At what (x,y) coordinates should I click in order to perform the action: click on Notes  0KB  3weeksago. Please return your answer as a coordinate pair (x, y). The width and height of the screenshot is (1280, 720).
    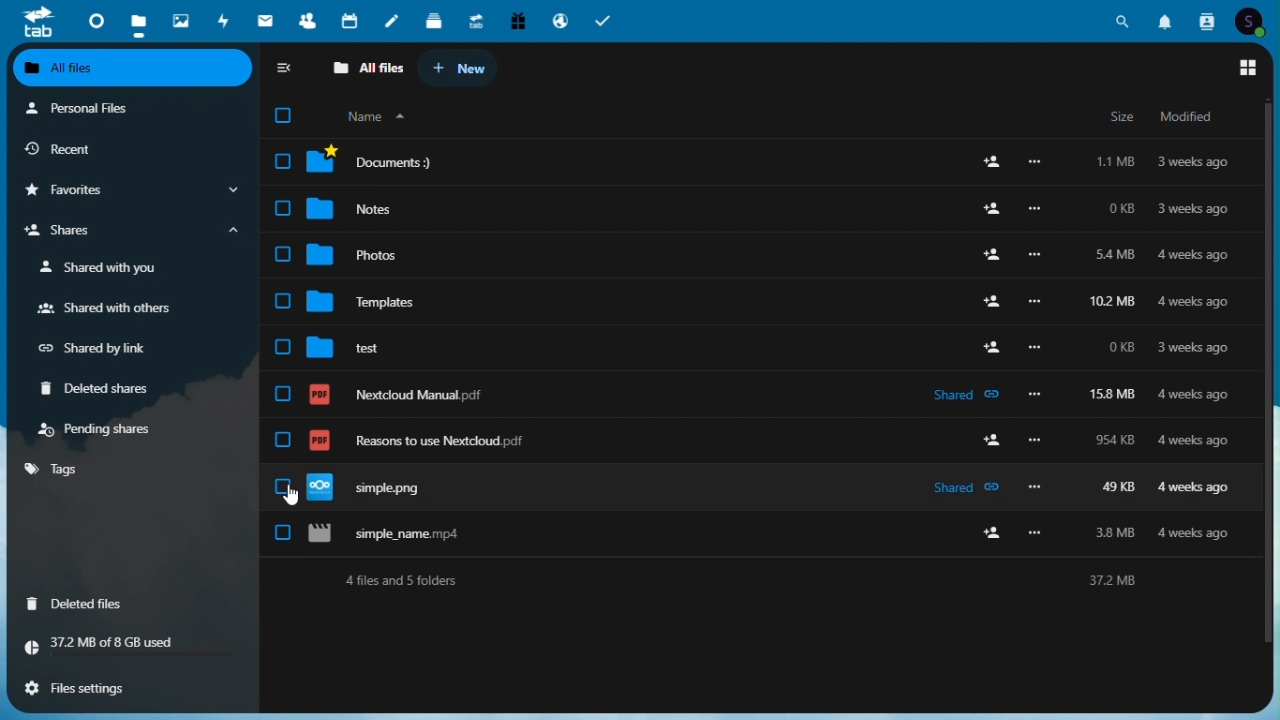
    Looking at the image, I should click on (761, 204).